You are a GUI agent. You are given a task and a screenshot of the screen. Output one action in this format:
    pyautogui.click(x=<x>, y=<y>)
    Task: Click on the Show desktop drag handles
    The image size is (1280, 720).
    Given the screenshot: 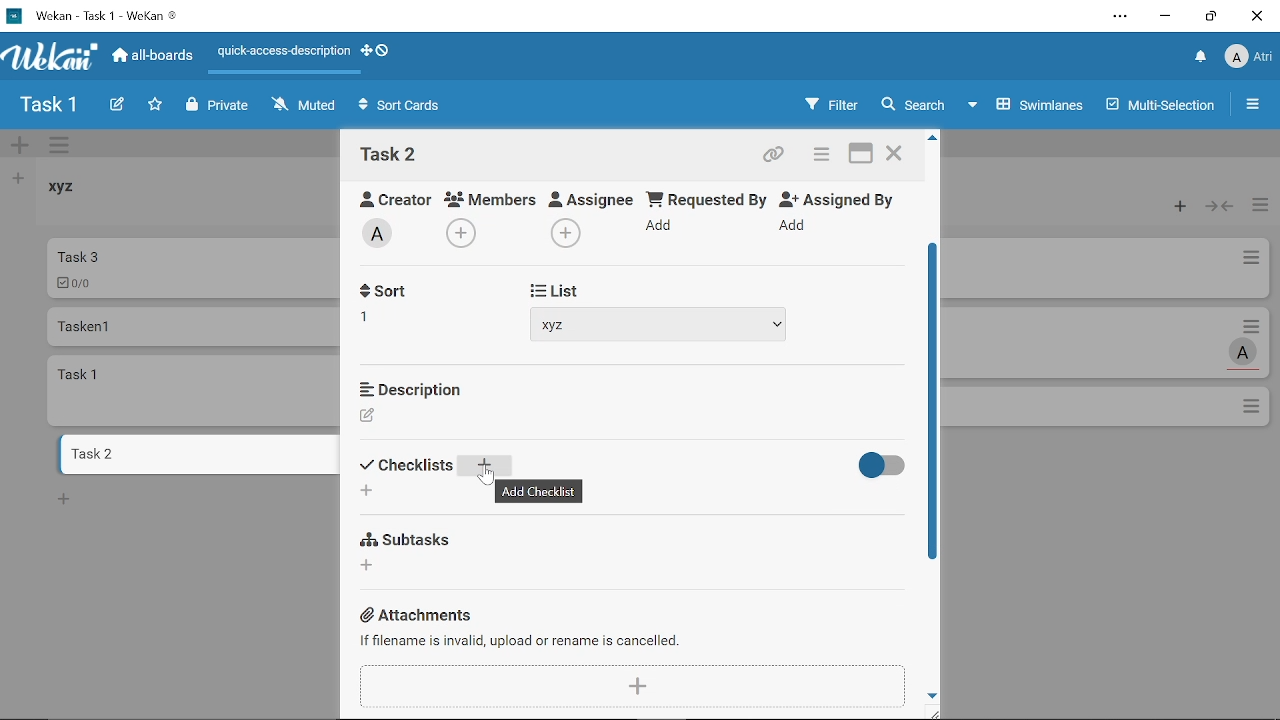 What is the action you would take?
    pyautogui.click(x=365, y=51)
    